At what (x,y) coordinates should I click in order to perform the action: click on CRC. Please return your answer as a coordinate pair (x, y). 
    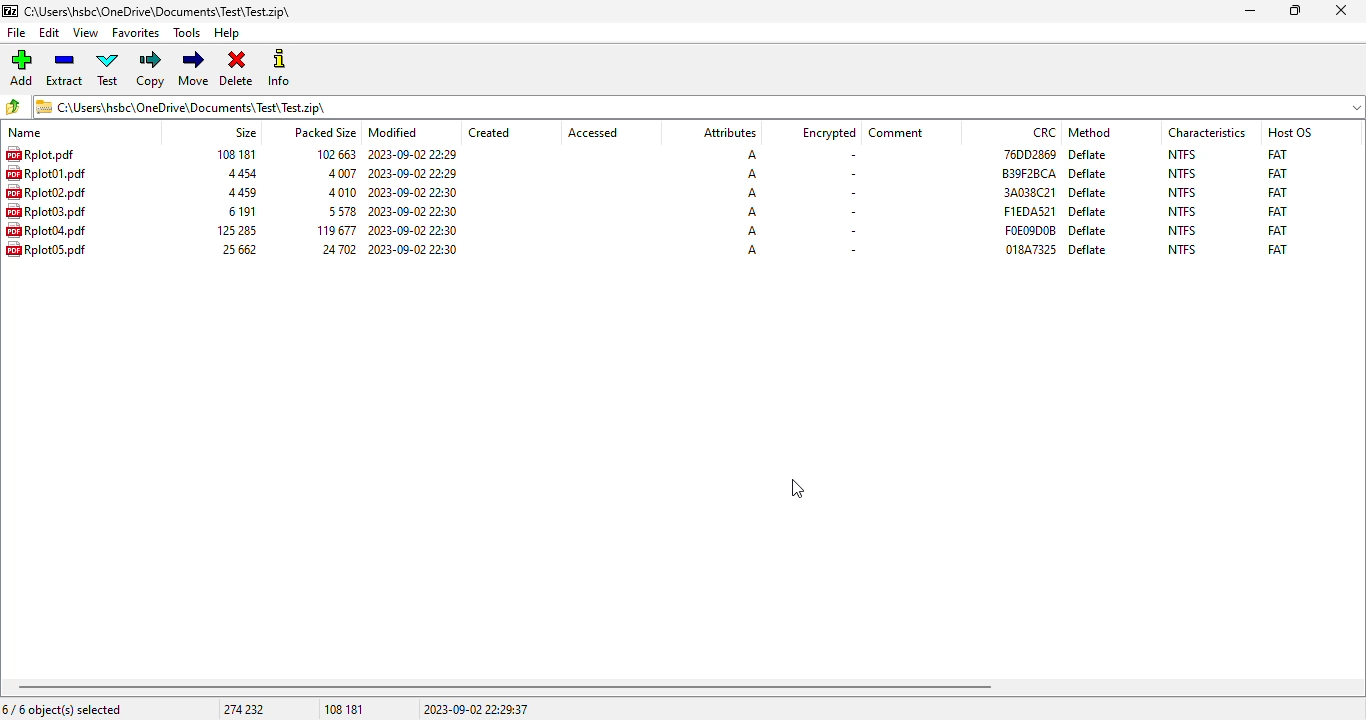
    Looking at the image, I should click on (1029, 173).